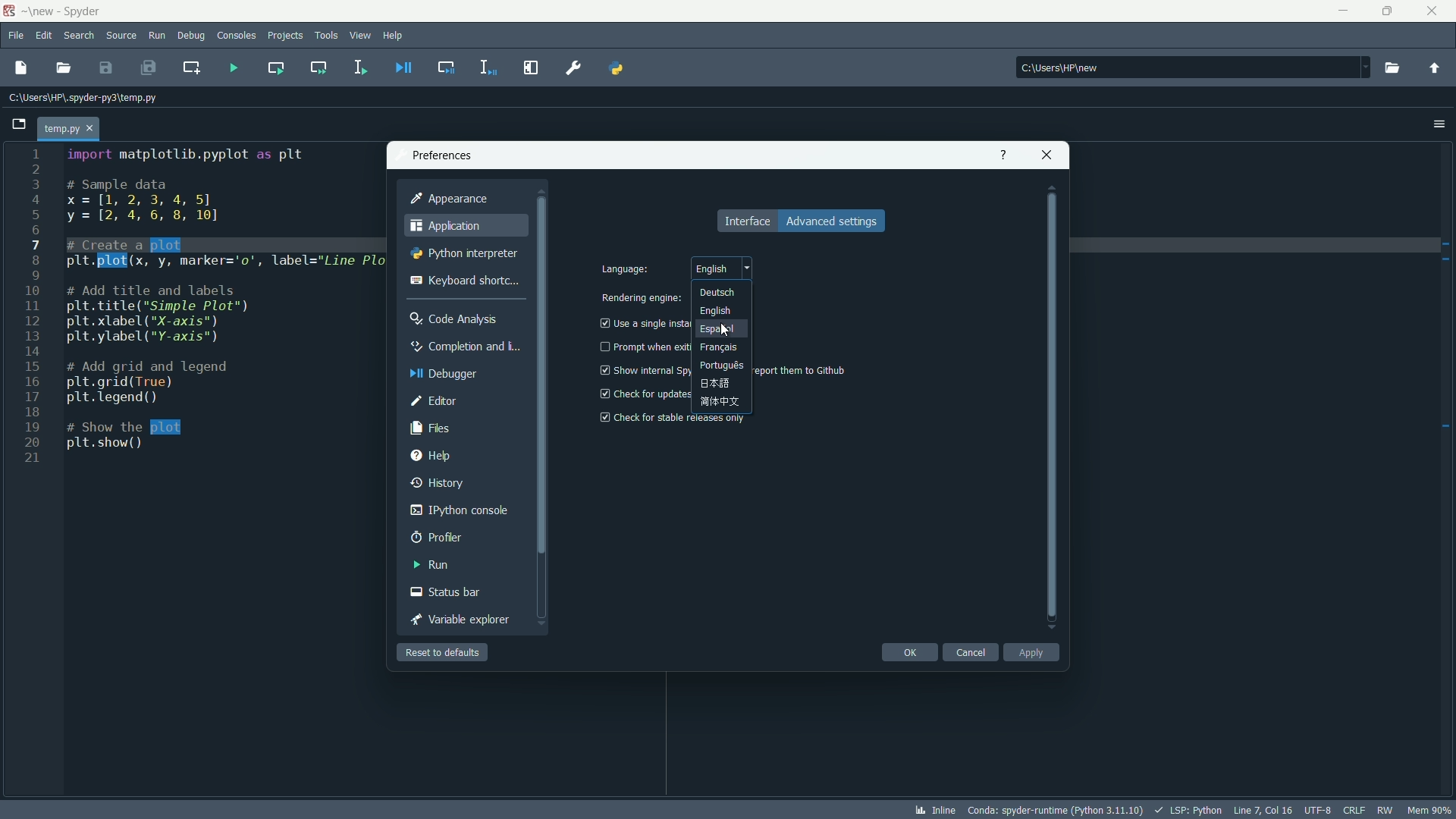 The width and height of the screenshot is (1456, 819). I want to click on status bar, so click(447, 592).